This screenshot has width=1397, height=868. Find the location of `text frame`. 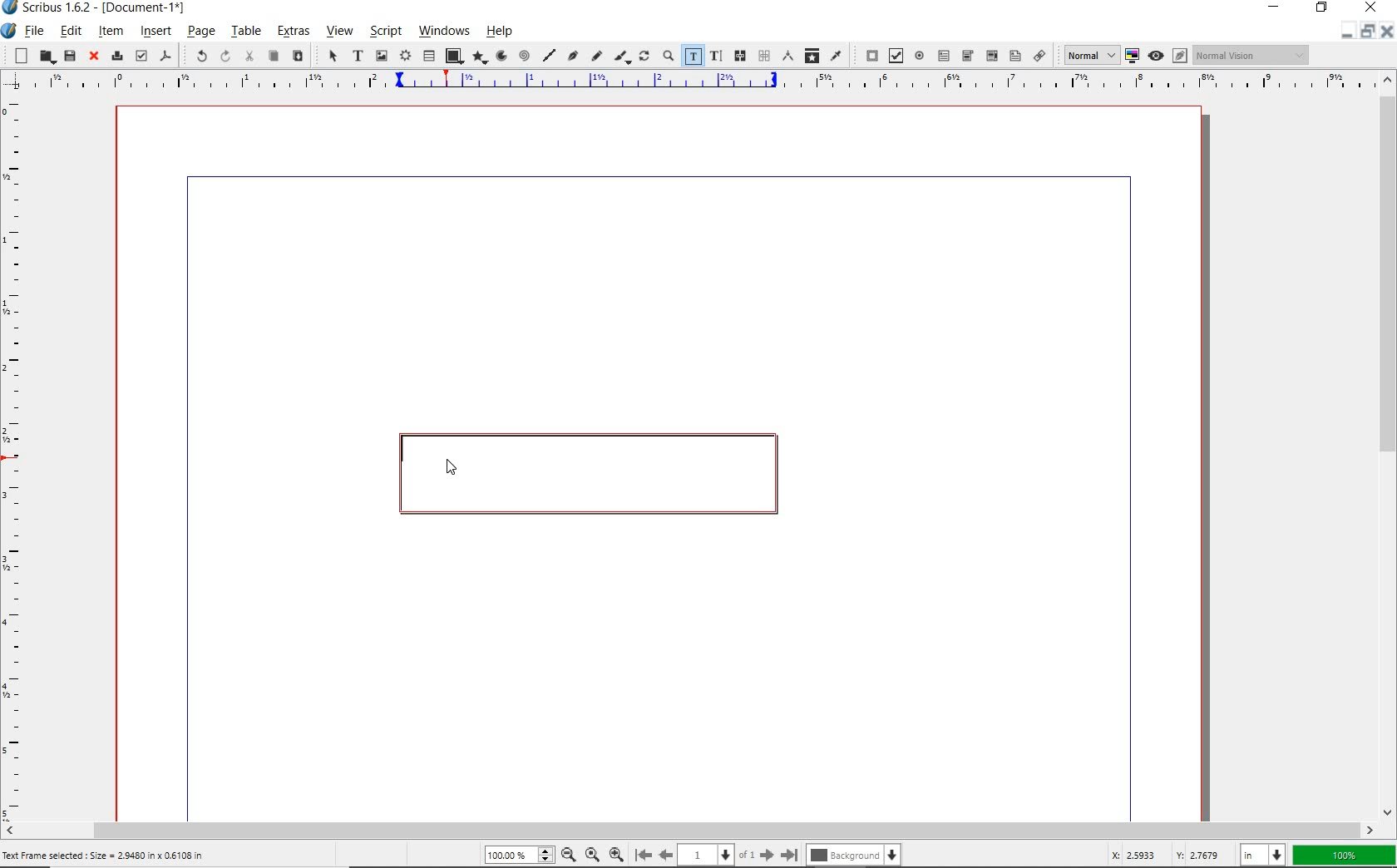

text frame is located at coordinates (357, 57).